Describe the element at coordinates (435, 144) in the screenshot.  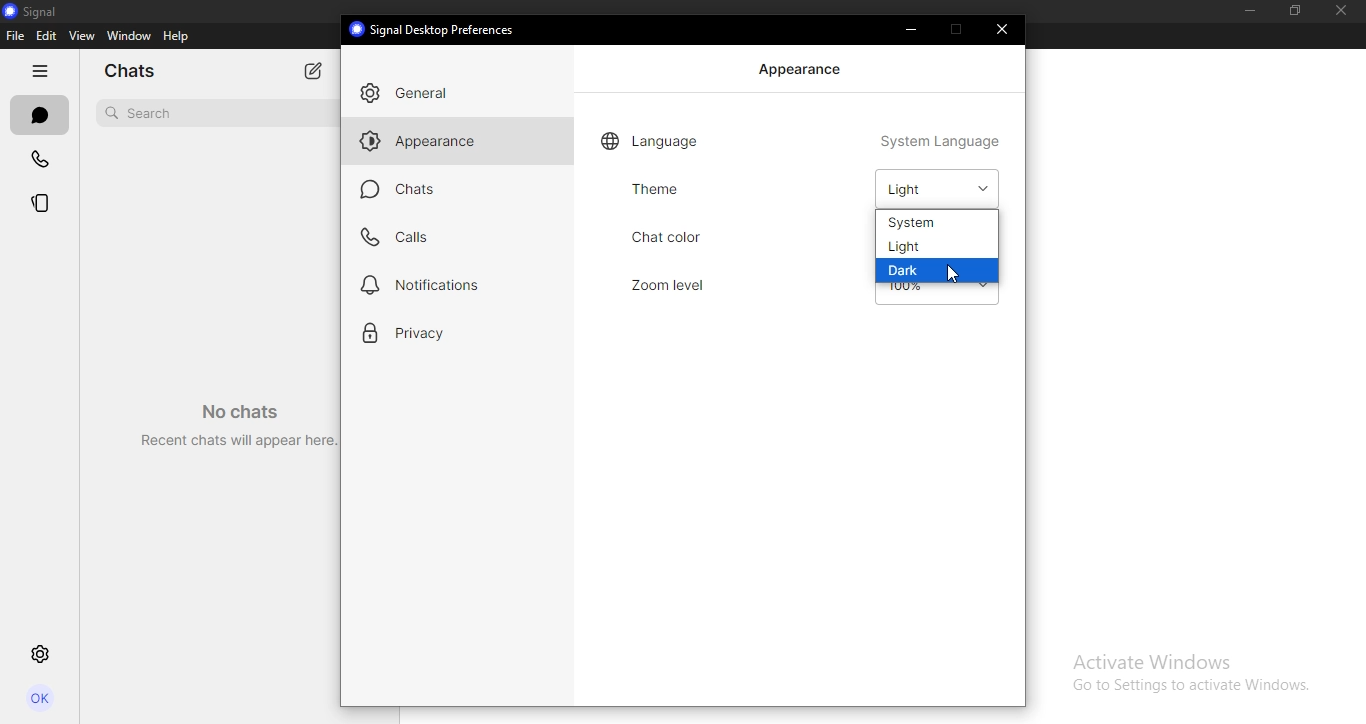
I see `appearance` at that location.